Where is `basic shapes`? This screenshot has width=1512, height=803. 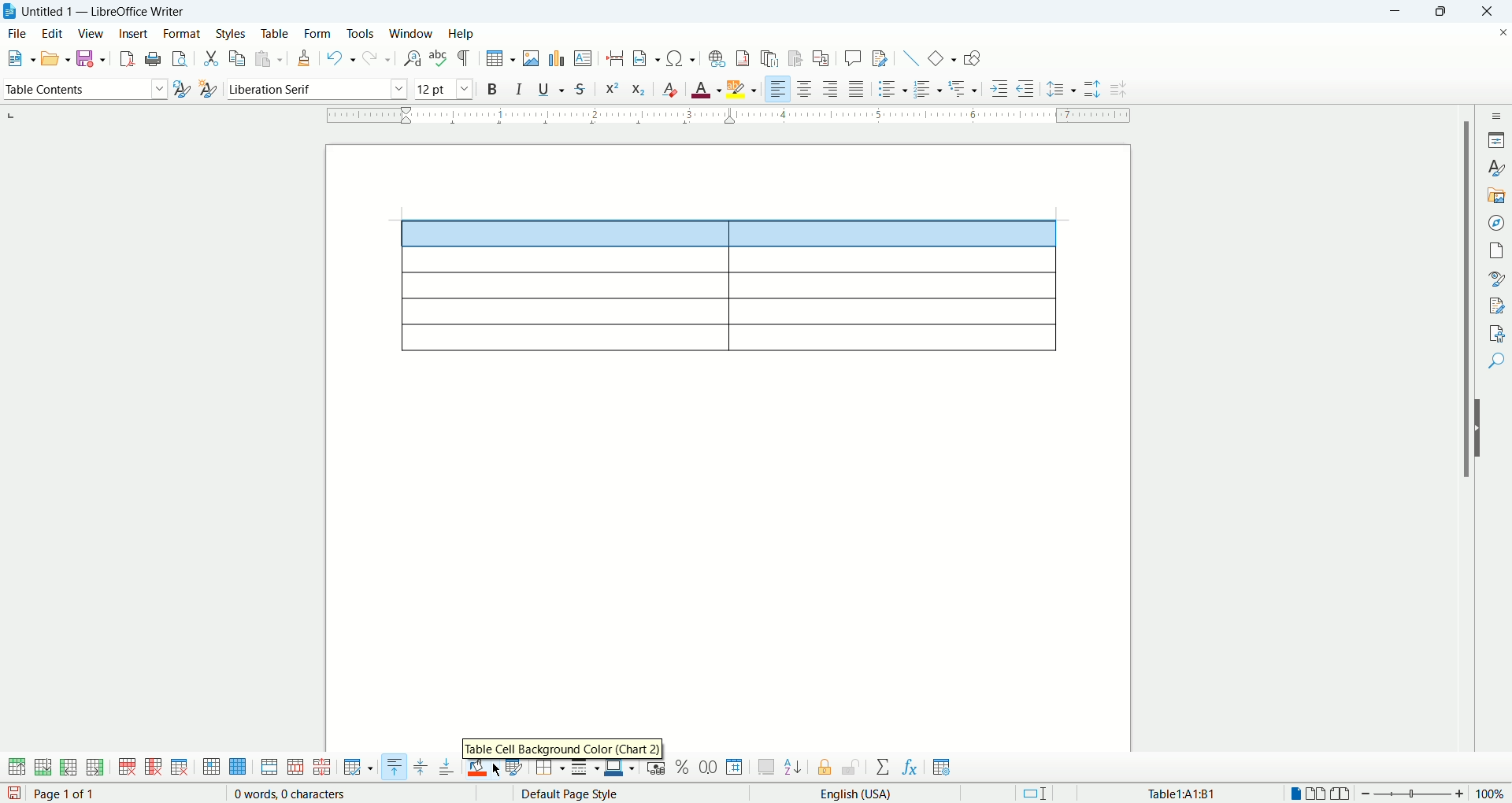
basic shapes is located at coordinates (941, 57).